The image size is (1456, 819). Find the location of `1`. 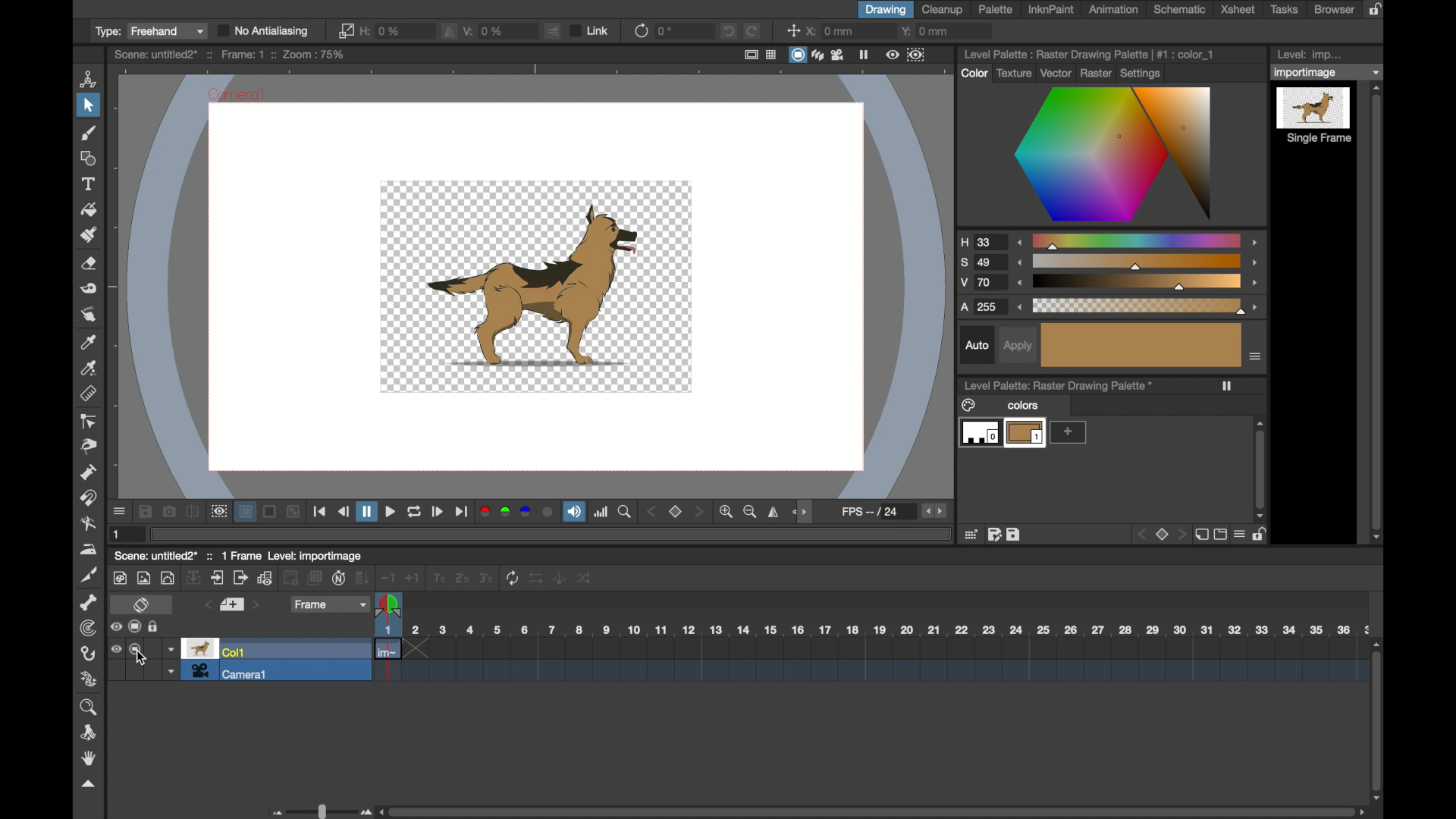

1 is located at coordinates (117, 535).